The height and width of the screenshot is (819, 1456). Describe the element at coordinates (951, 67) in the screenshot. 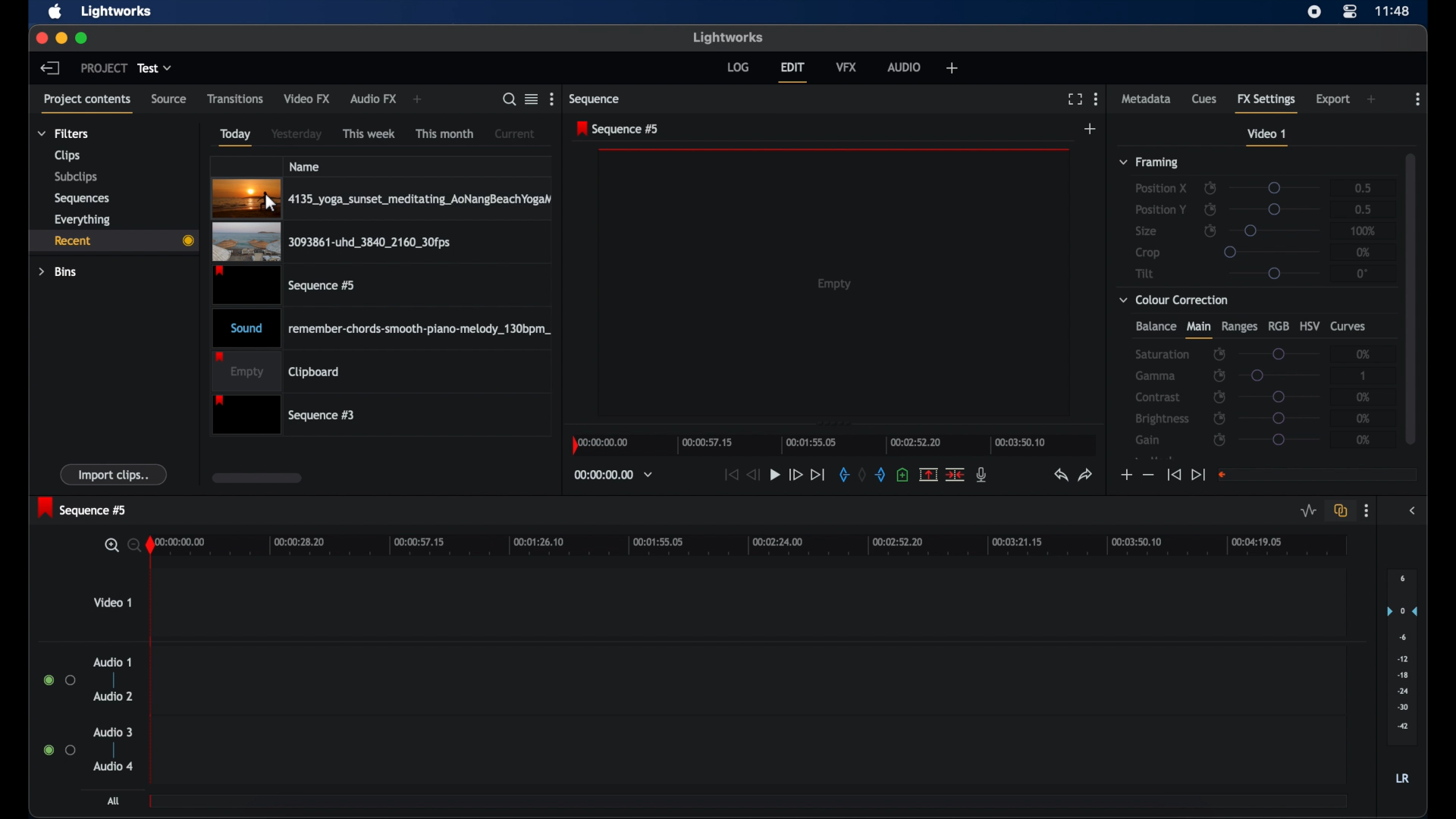

I see `add` at that location.